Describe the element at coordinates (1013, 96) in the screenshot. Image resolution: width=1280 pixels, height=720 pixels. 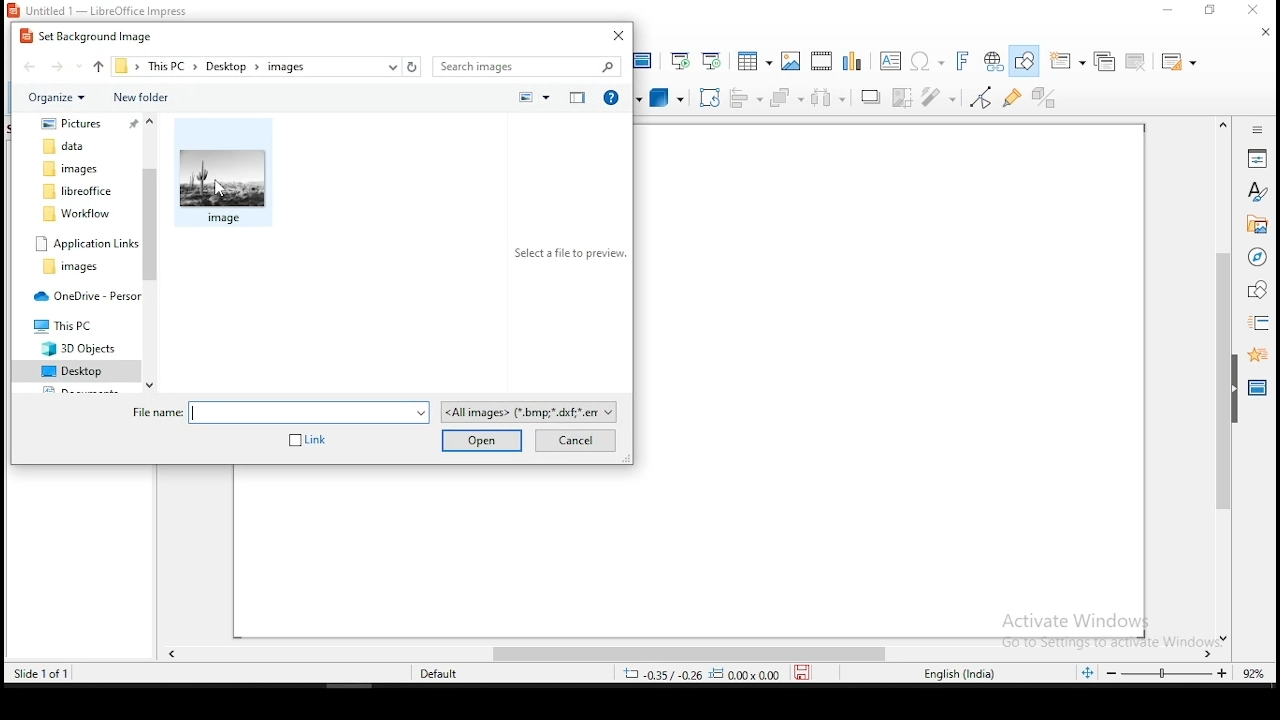
I see `show gluepoint functions` at that location.